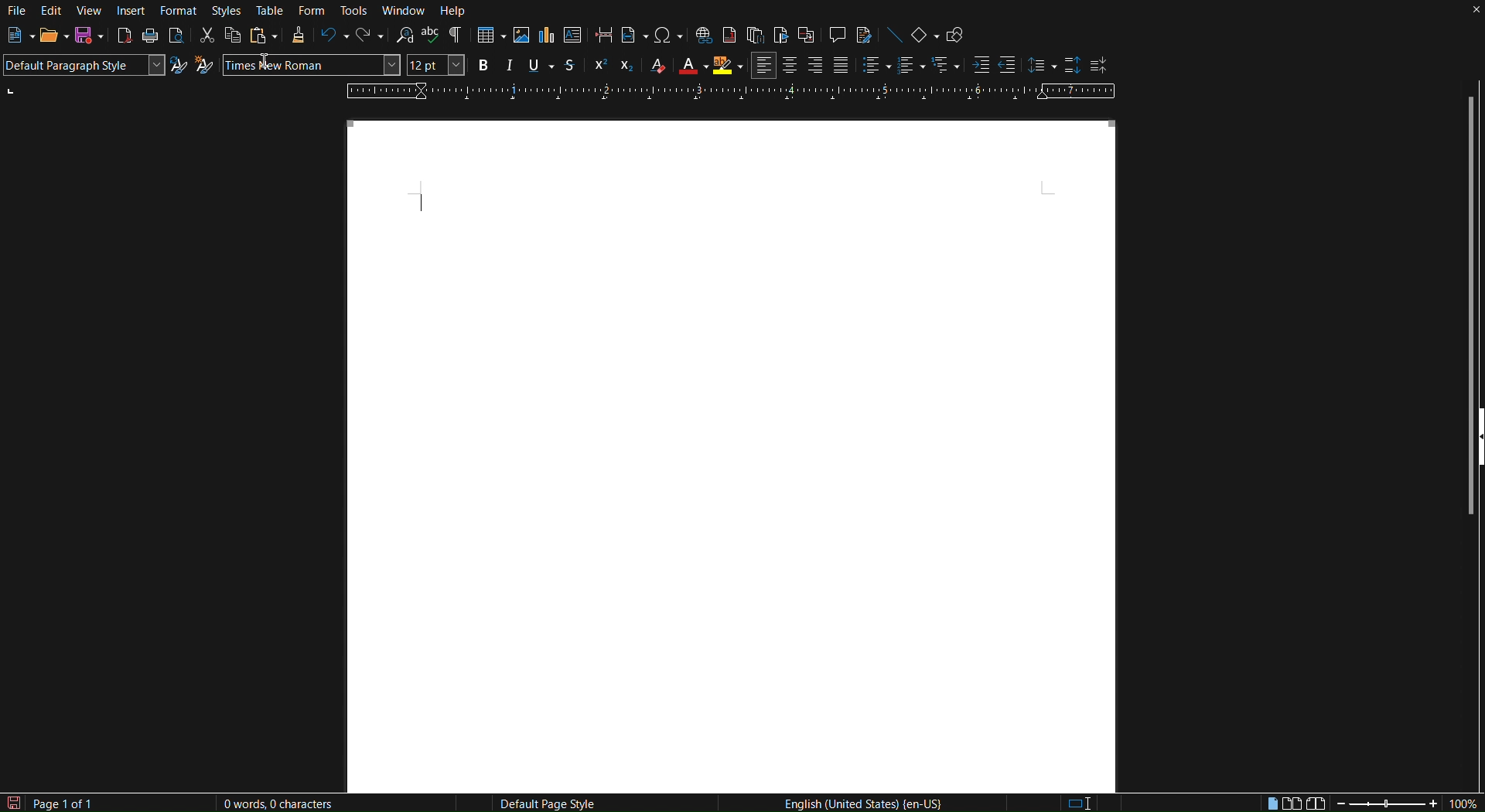  What do you see at coordinates (52, 11) in the screenshot?
I see `Edit ` at bounding box center [52, 11].